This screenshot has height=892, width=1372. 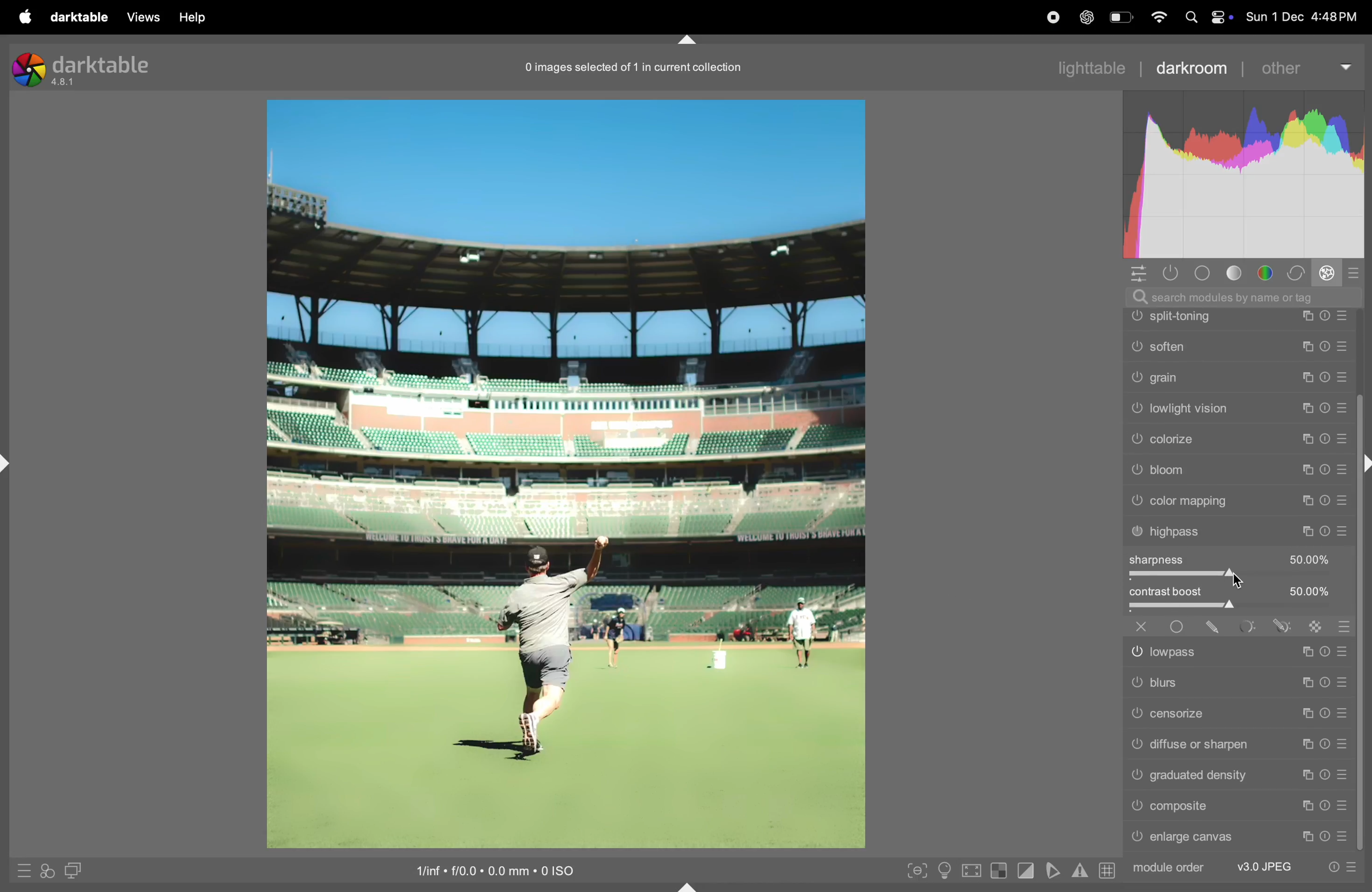 I want to click on color, so click(x=1269, y=272).